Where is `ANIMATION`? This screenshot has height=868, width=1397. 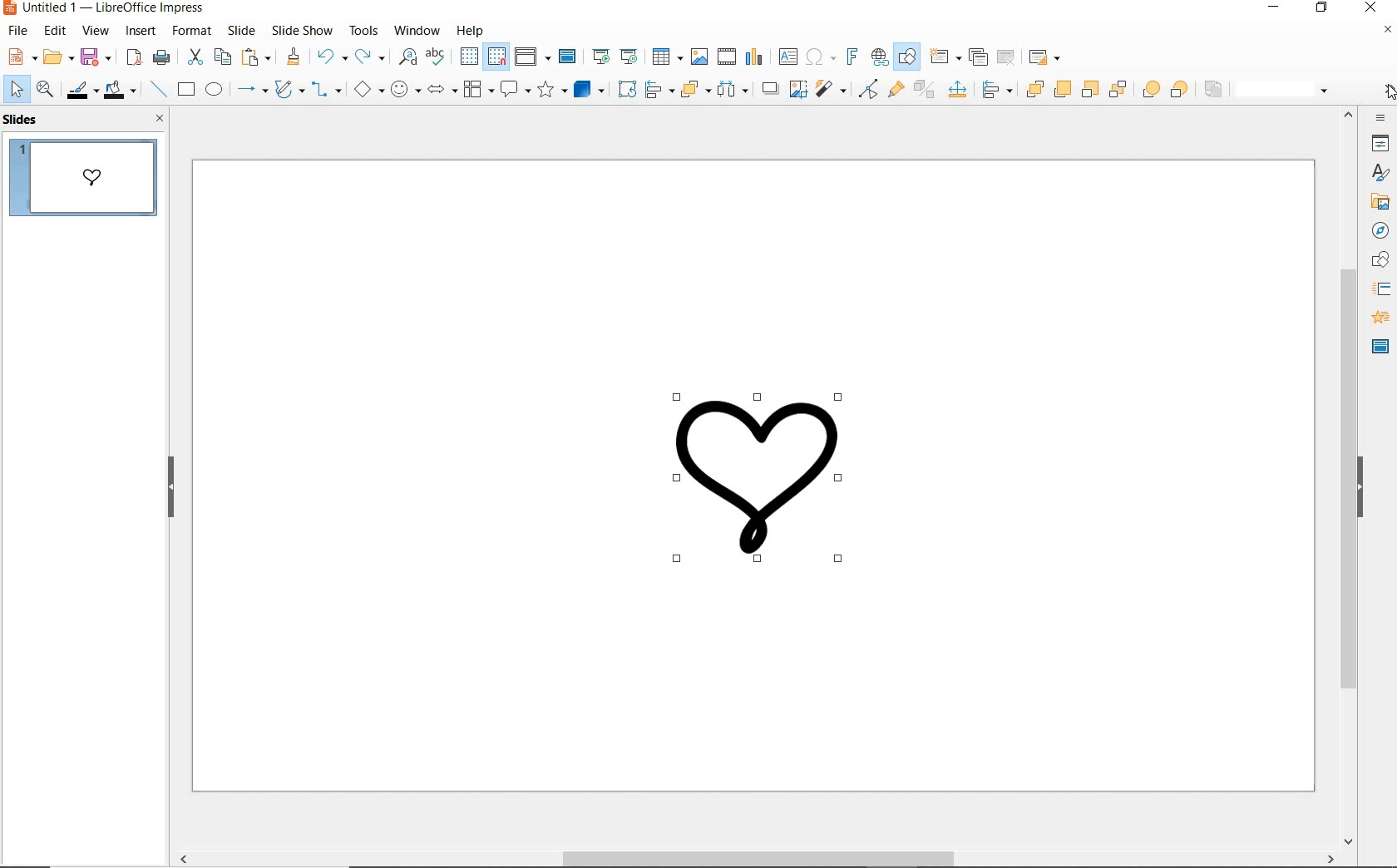
ANIMATION is located at coordinates (1380, 318).